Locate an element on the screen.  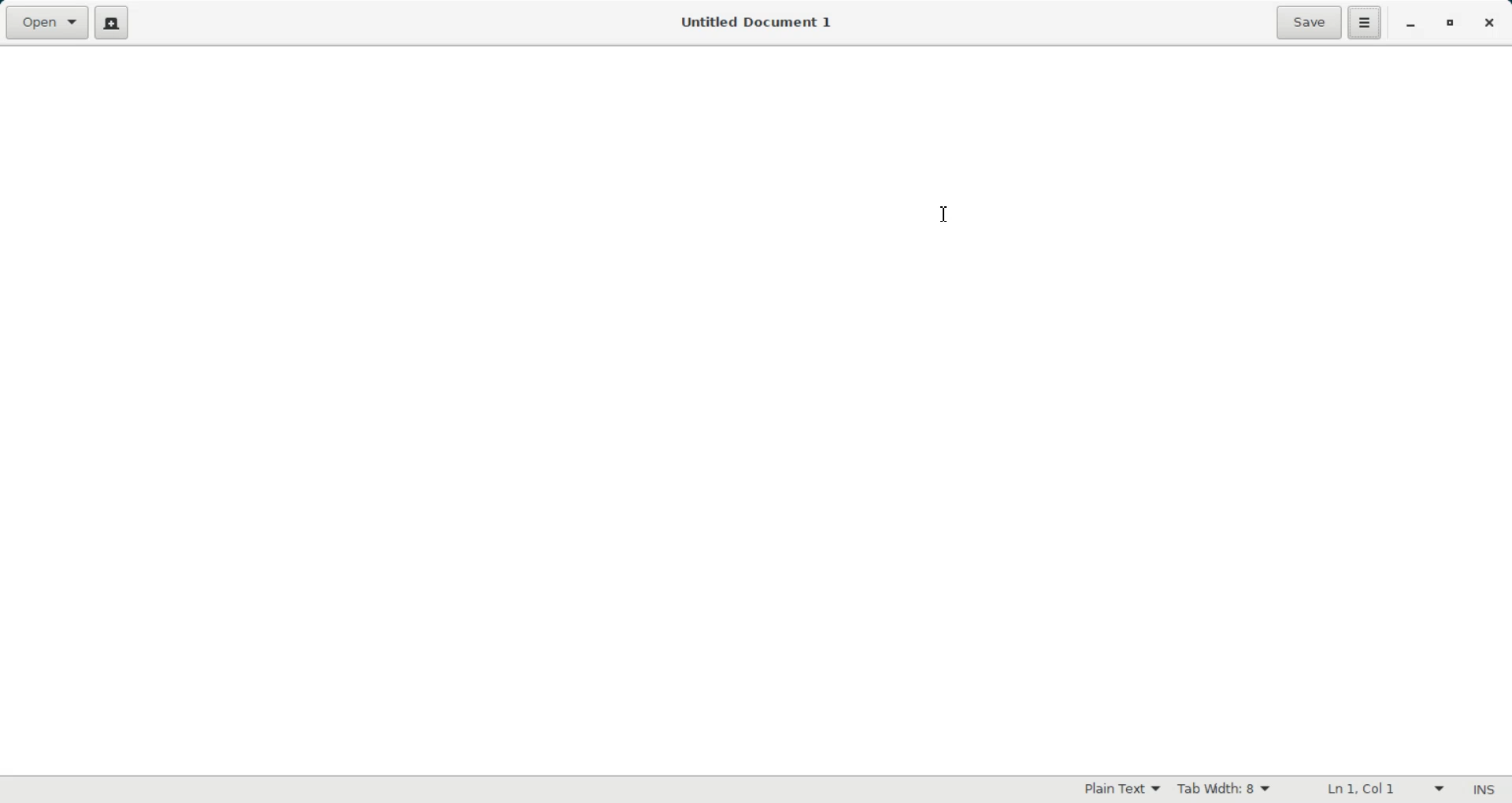
Insert is located at coordinates (1483, 790).